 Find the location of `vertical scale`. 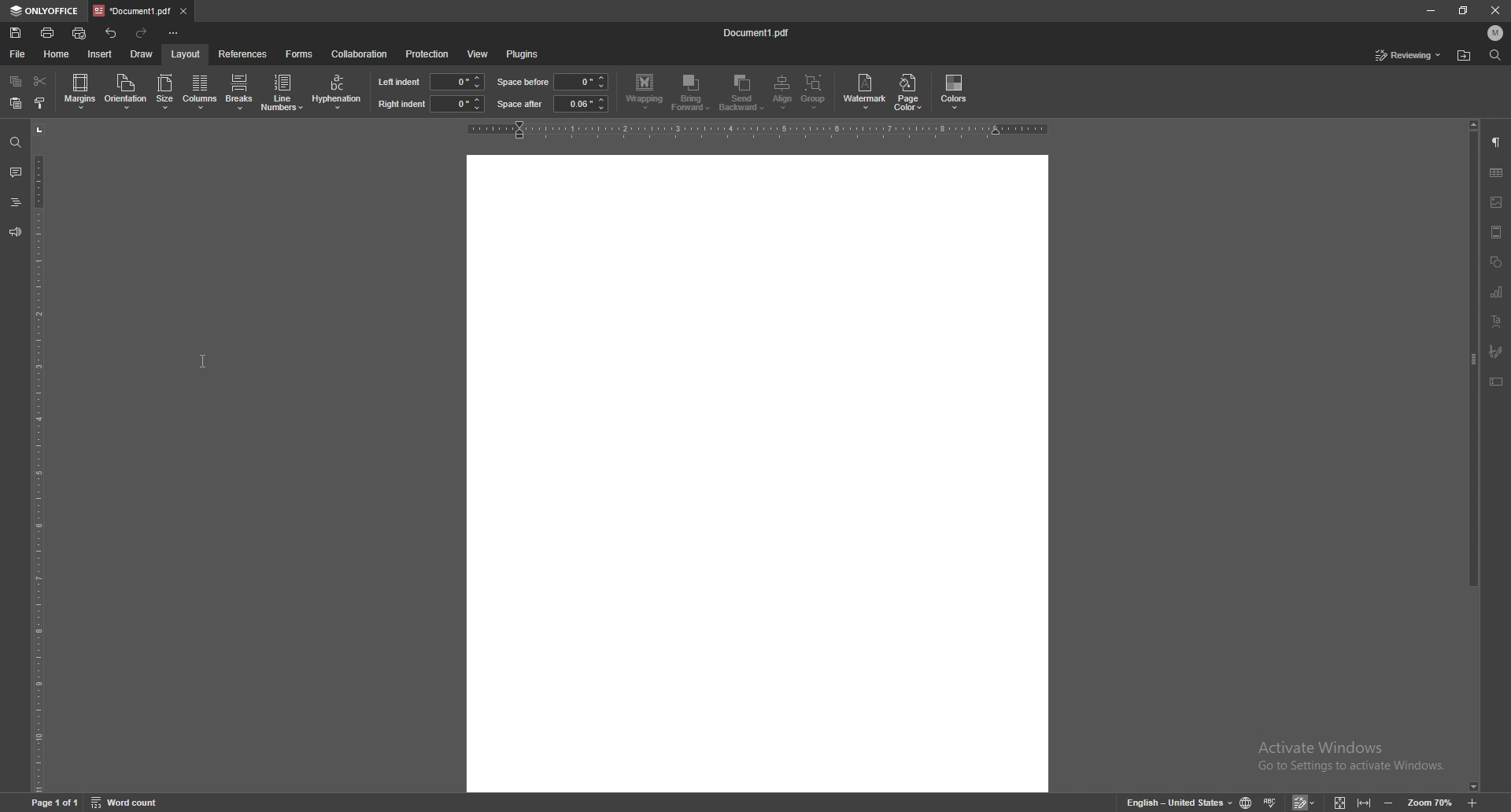

vertical scale is located at coordinates (38, 458).